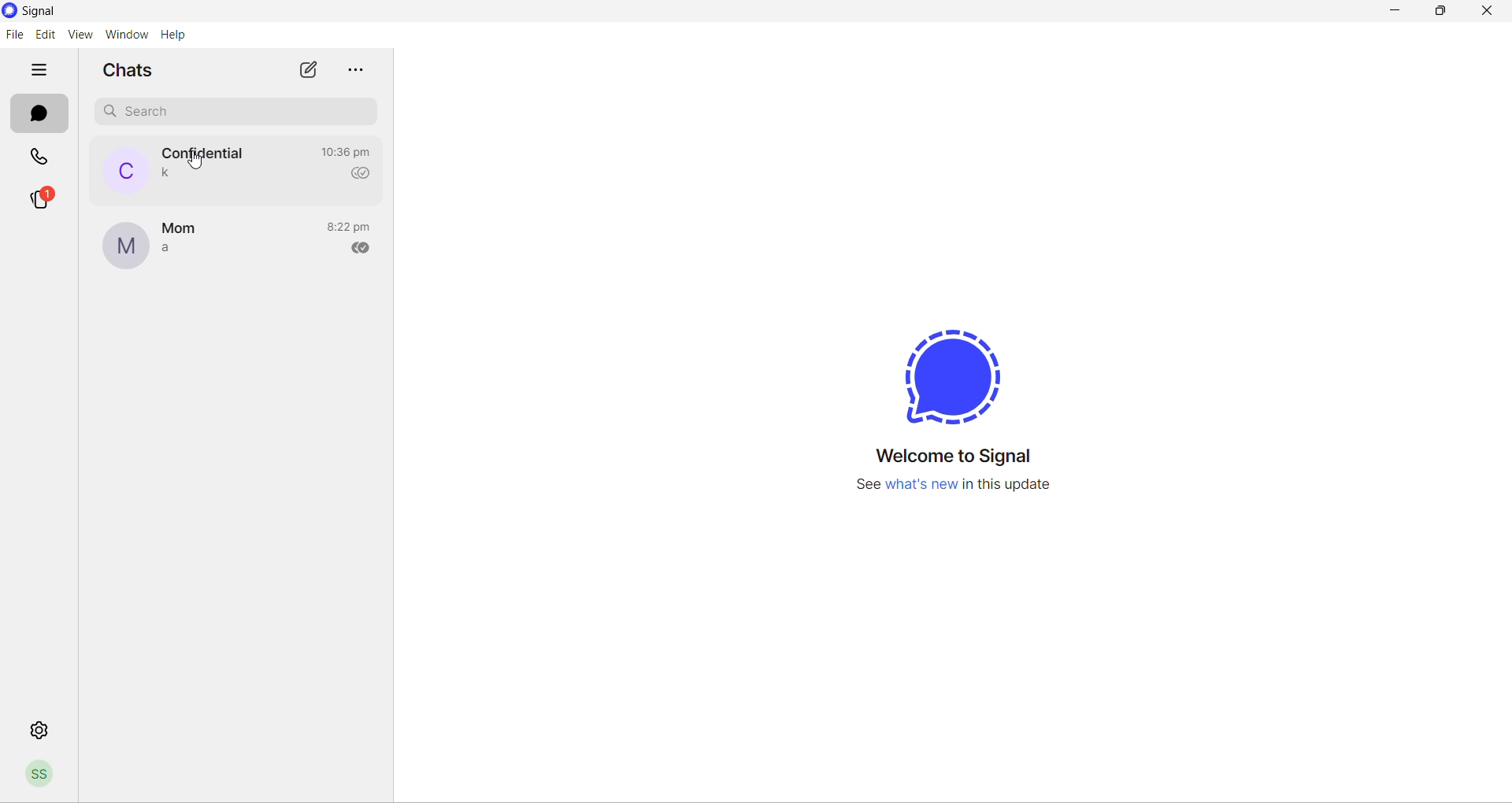 Image resolution: width=1512 pixels, height=803 pixels. Describe the element at coordinates (79, 35) in the screenshot. I see `view` at that location.